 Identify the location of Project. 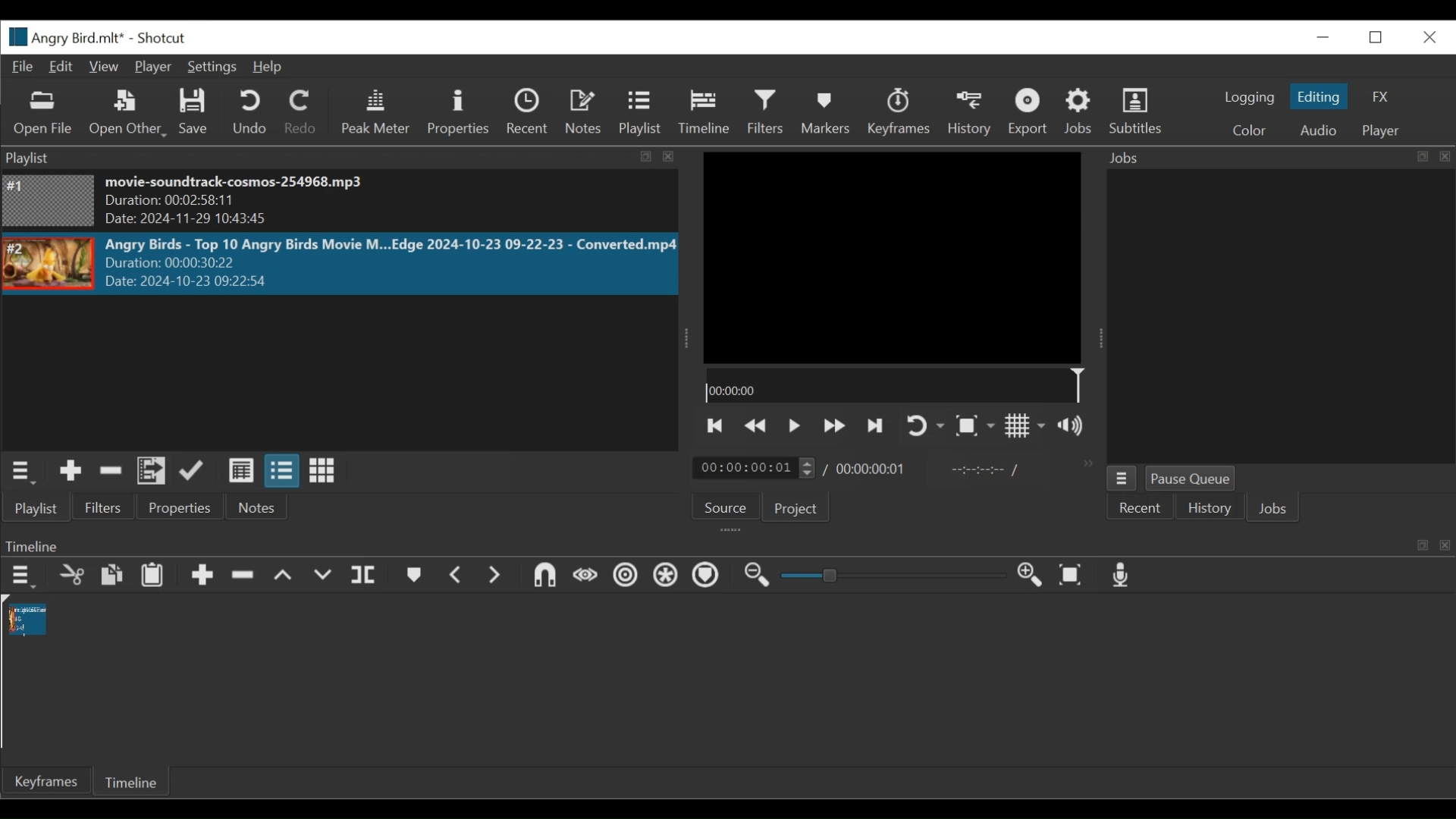
(794, 508).